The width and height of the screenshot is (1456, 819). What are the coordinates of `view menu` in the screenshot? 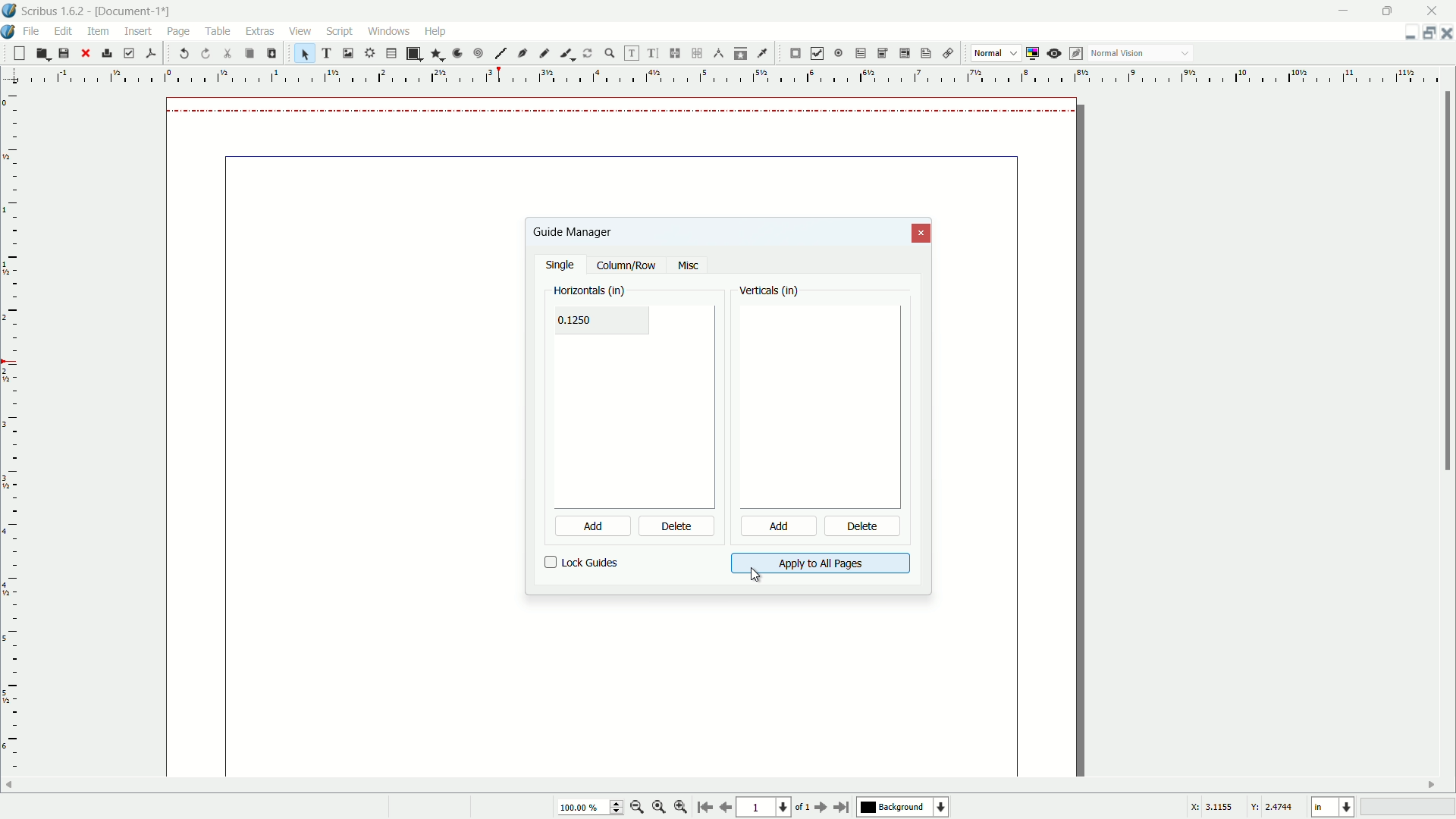 It's located at (298, 31).